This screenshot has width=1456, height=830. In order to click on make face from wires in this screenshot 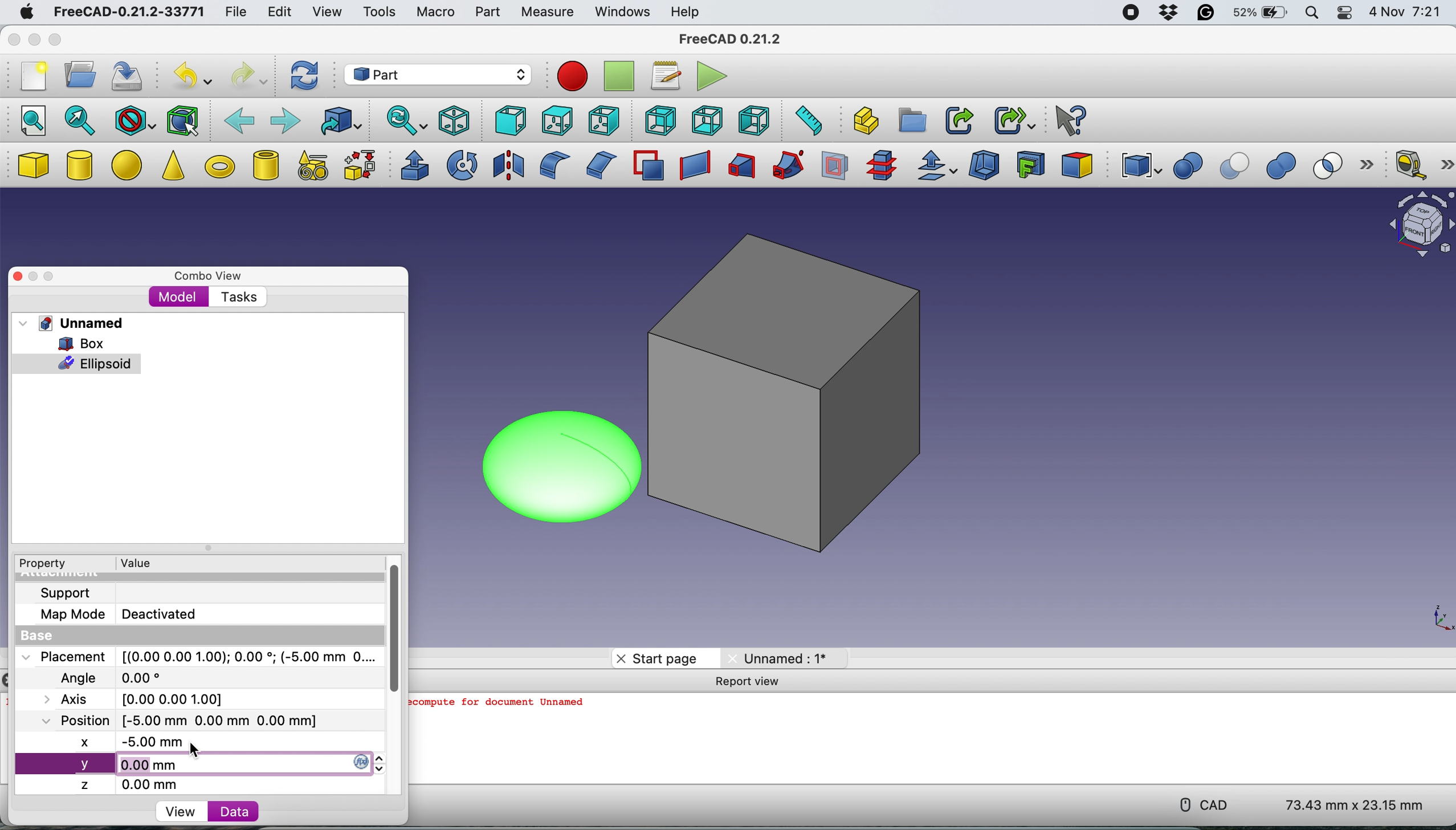, I will do `click(648, 165)`.